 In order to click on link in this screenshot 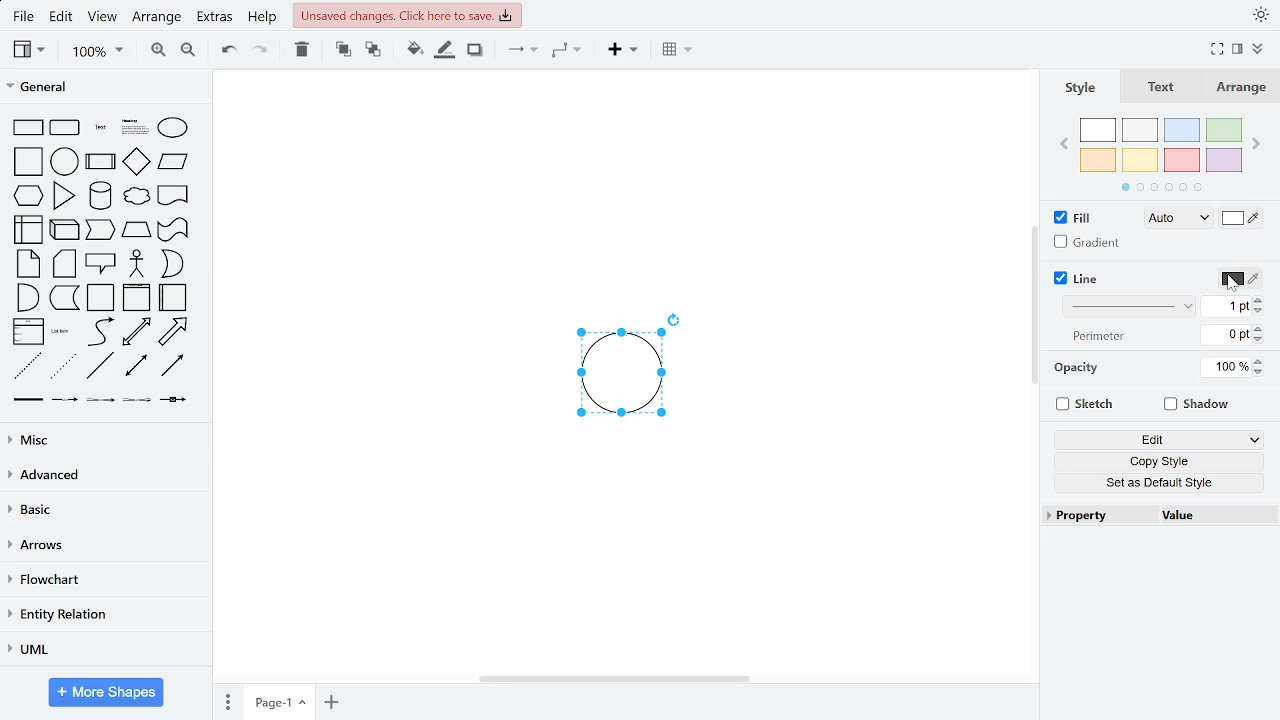, I will do `click(27, 400)`.